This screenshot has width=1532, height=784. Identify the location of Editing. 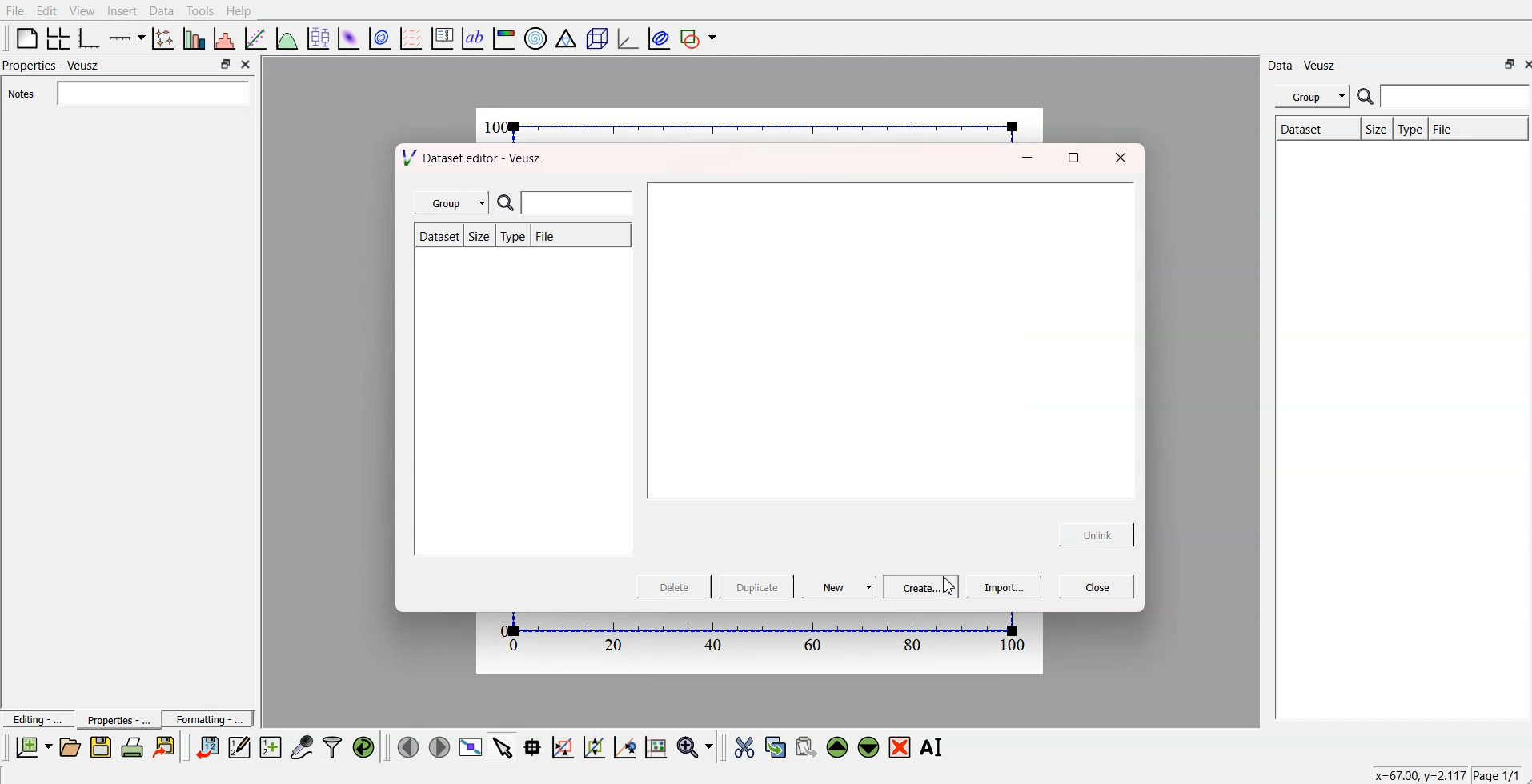
(36, 718).